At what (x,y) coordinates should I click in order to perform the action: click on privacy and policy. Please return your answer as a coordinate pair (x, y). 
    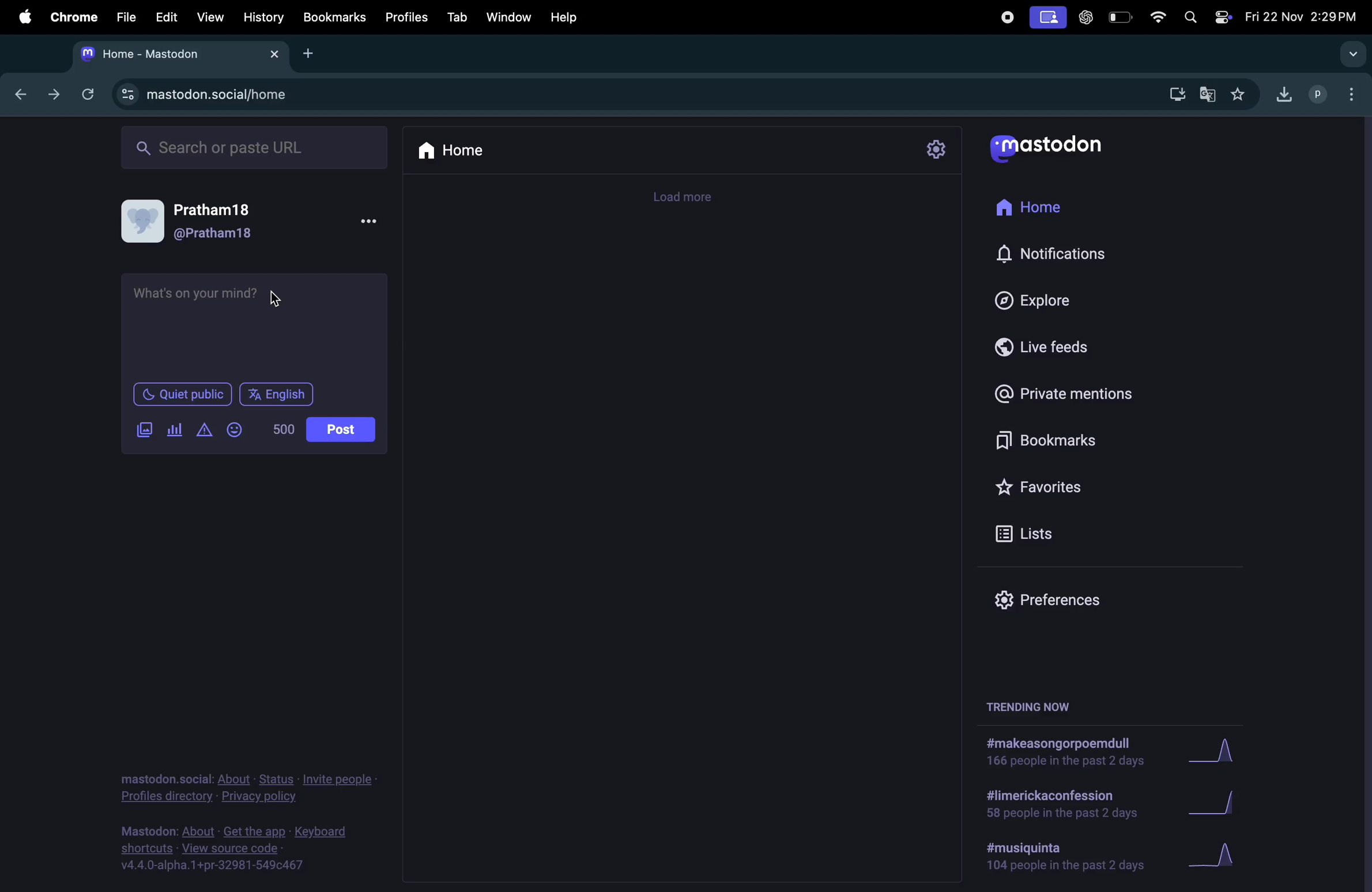
    Looking at the image, I should click on (249, 786).